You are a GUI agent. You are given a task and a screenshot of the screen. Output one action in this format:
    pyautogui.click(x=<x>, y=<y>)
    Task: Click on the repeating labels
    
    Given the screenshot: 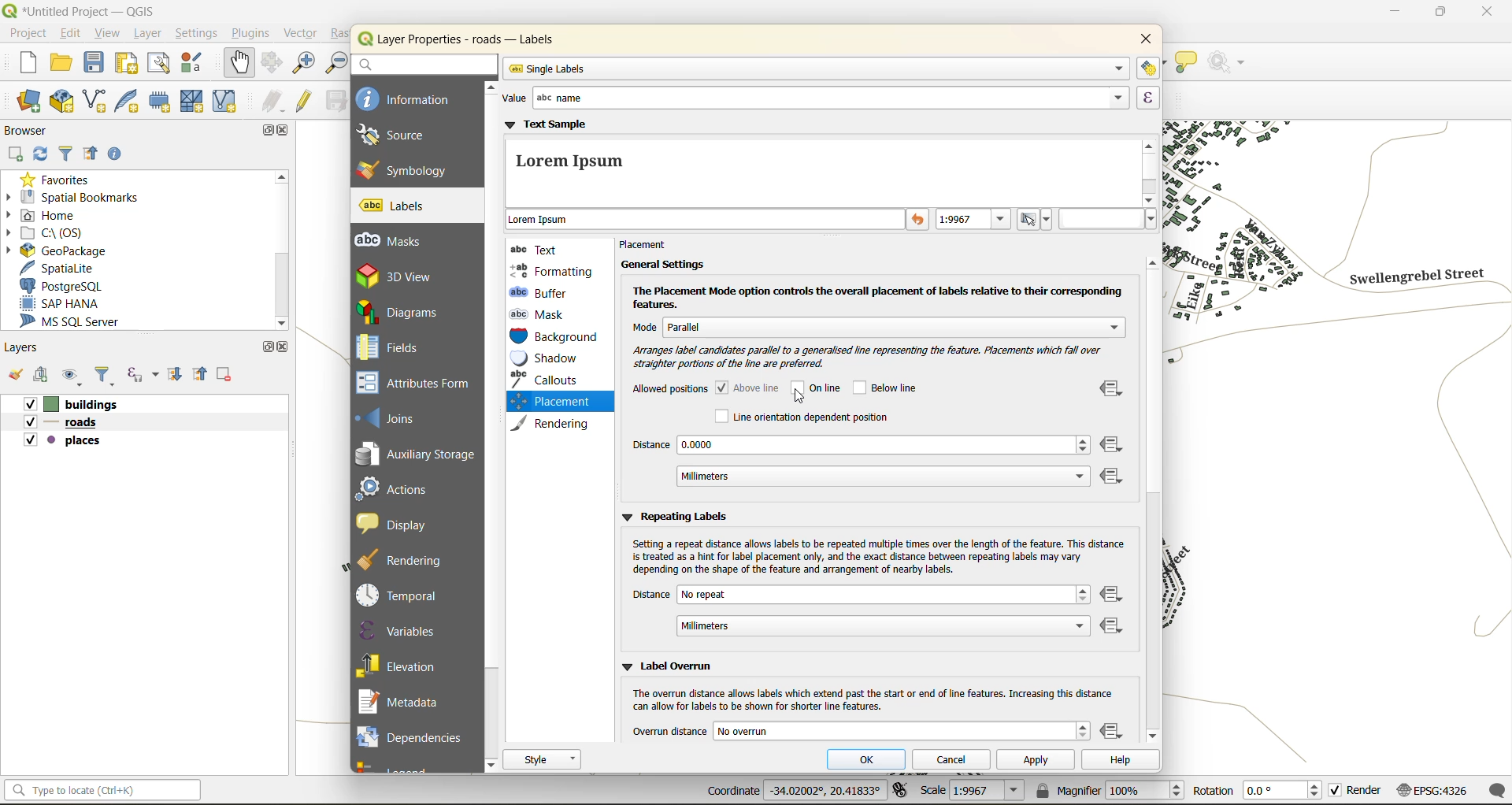 What is the action you would take?
    pyautogui.click(x=674, y=516)
    